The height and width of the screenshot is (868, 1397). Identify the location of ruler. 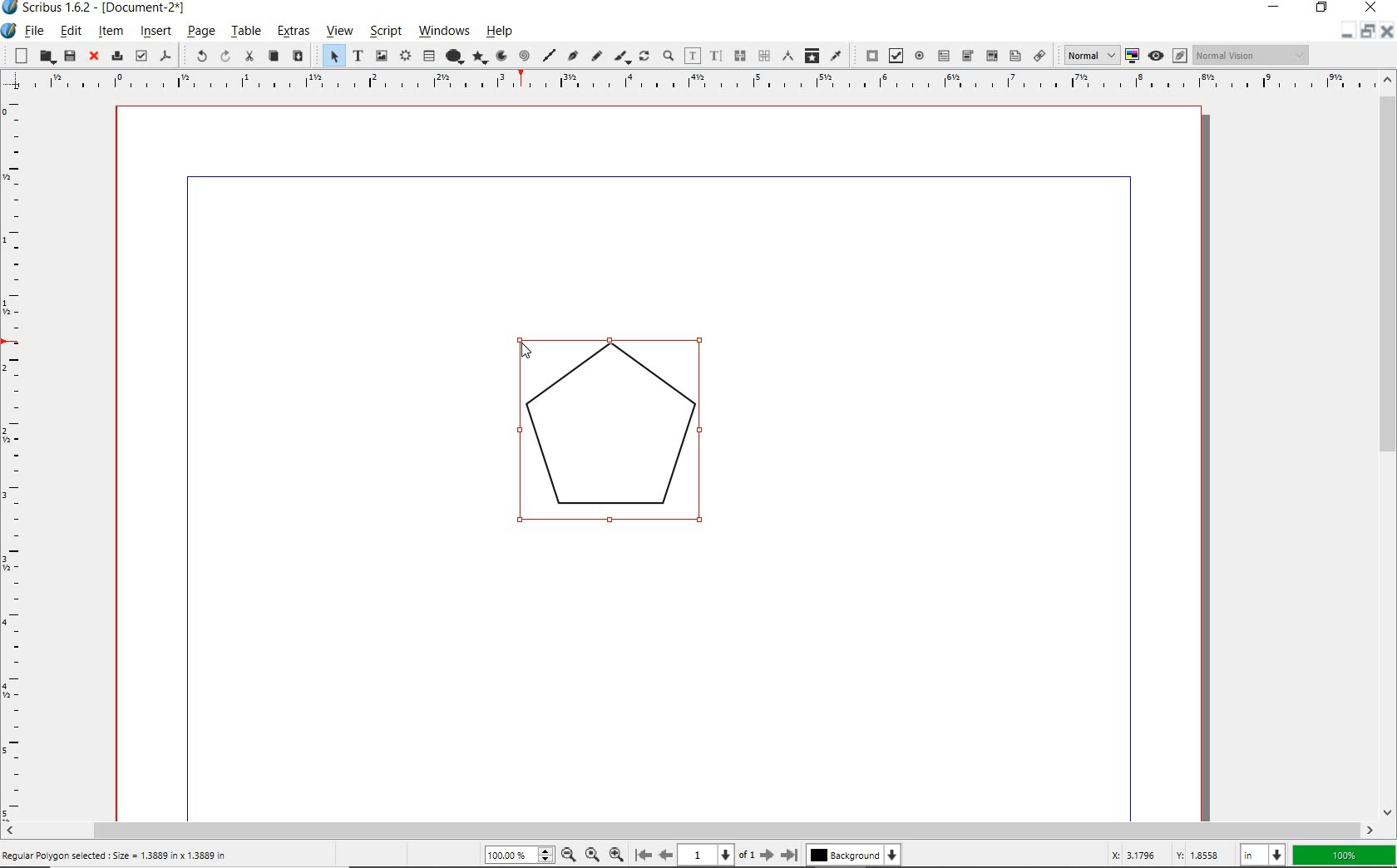
(17, 456).